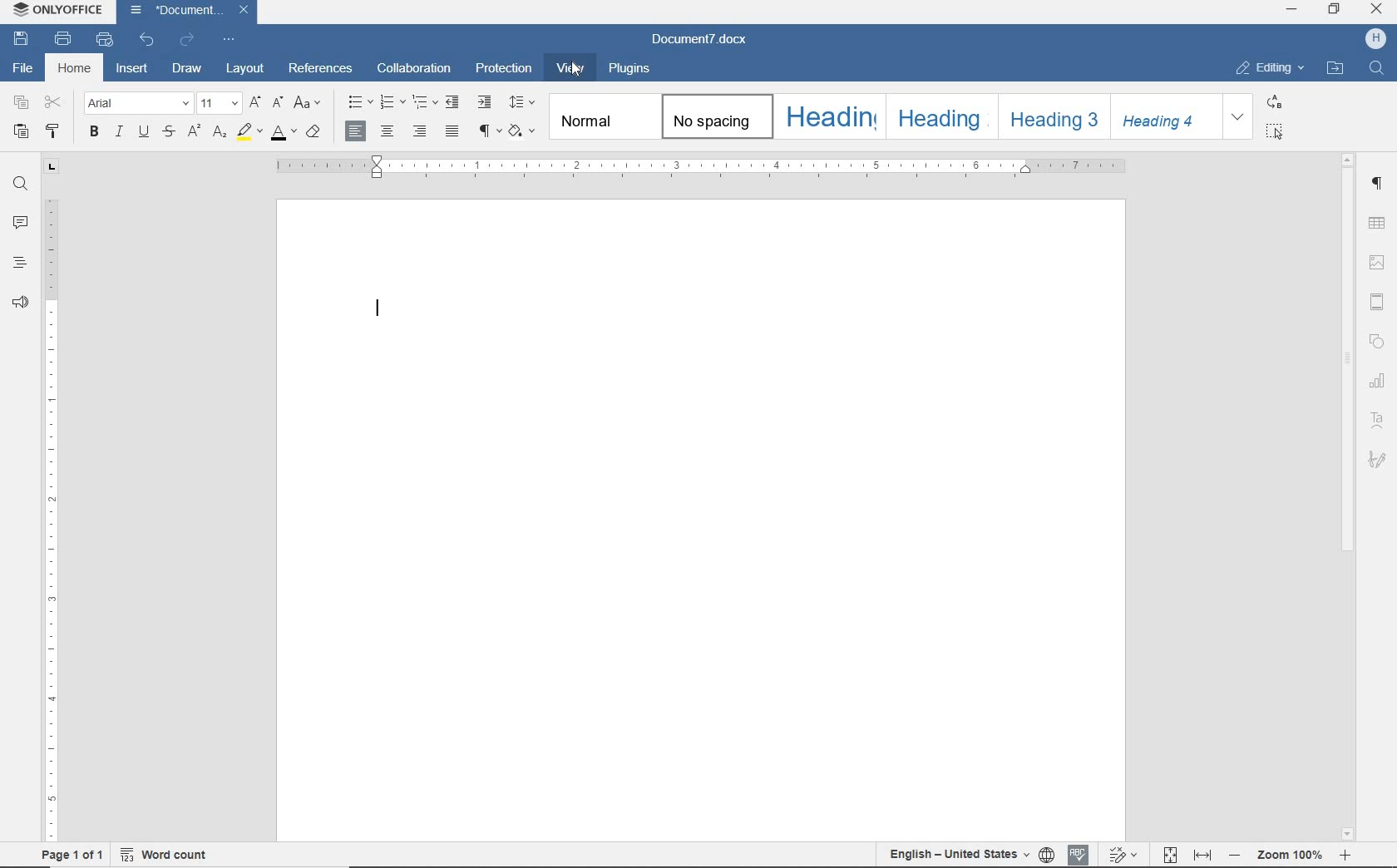 Image resolution: width=1397 pixels, height=868 pixels. What do you see at coordinates (1377, 301) in the screenshot?
I see `HEADER & FOOTER` at bounding box center [1377, 301].